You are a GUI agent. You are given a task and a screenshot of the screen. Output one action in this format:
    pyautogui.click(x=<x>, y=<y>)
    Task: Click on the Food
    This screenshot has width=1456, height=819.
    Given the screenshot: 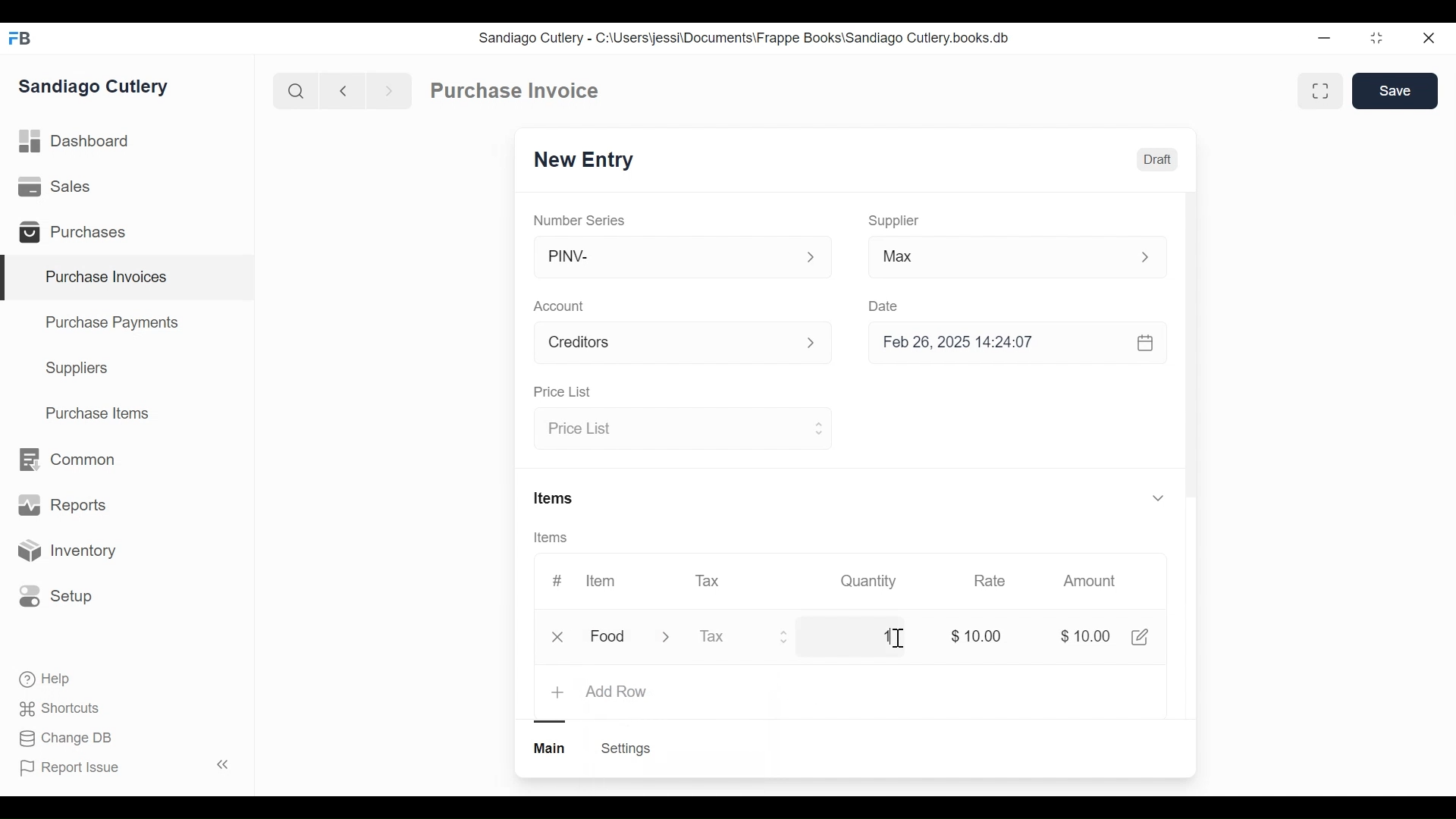 What is the action you would take?
    pyautogui.click(x=610, y=638)
    